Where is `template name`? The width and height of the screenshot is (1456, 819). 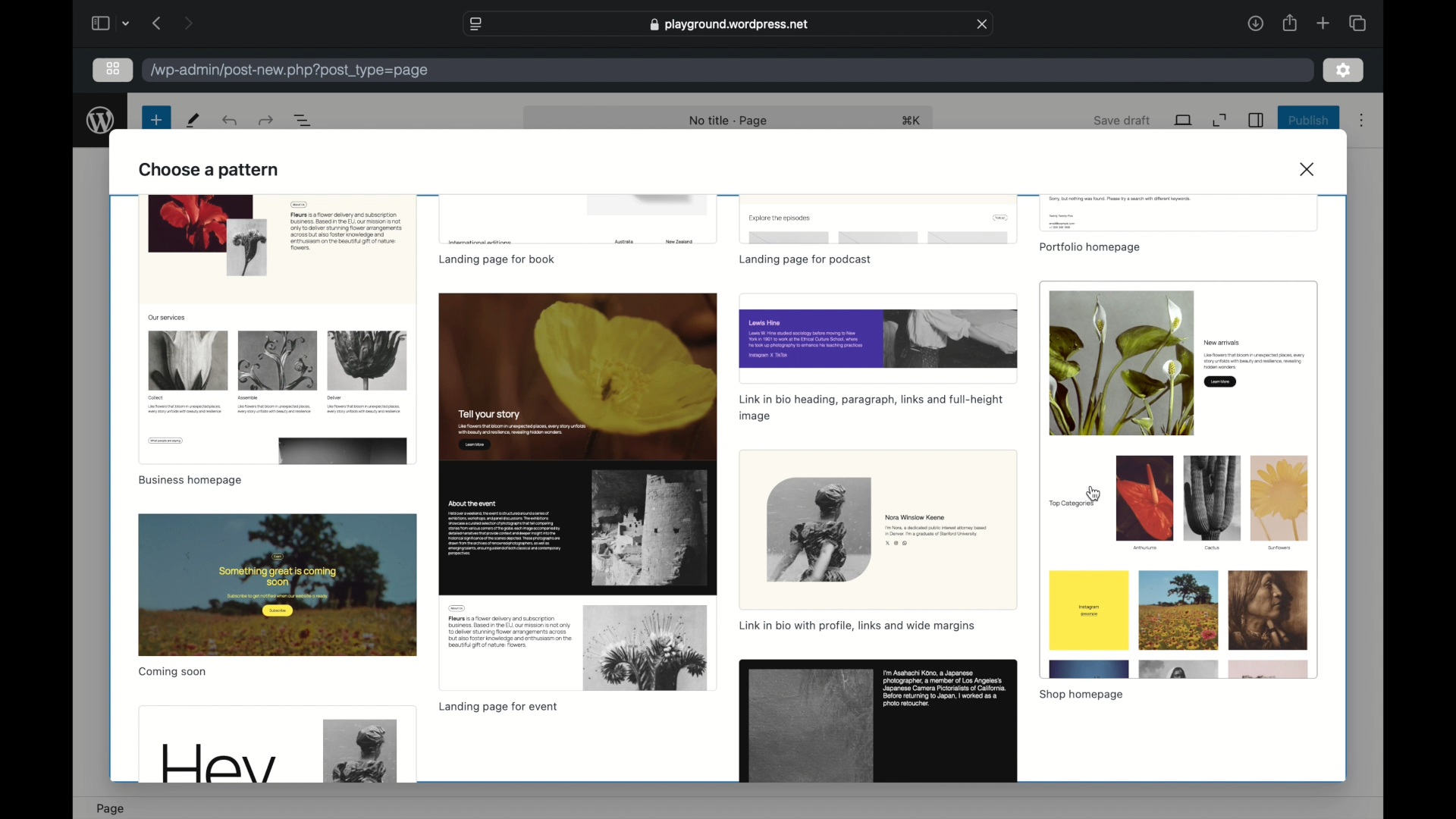 template name is located at coordinates (1084, 695).